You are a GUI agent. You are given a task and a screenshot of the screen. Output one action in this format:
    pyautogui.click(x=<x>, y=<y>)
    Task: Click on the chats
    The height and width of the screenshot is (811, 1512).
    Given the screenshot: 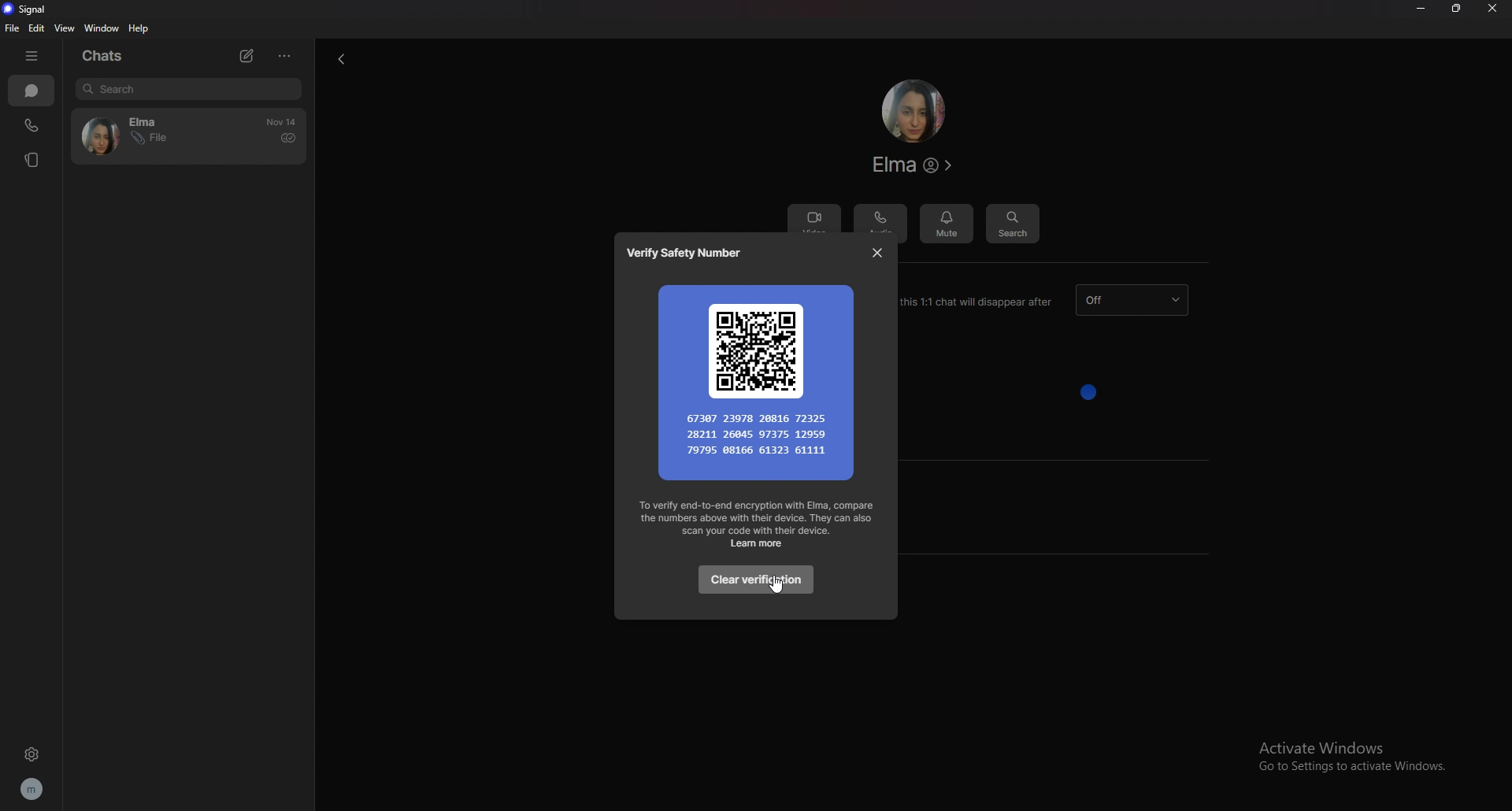 What is the action you would take?
    pyautogui.click(x=109, y=56)
    